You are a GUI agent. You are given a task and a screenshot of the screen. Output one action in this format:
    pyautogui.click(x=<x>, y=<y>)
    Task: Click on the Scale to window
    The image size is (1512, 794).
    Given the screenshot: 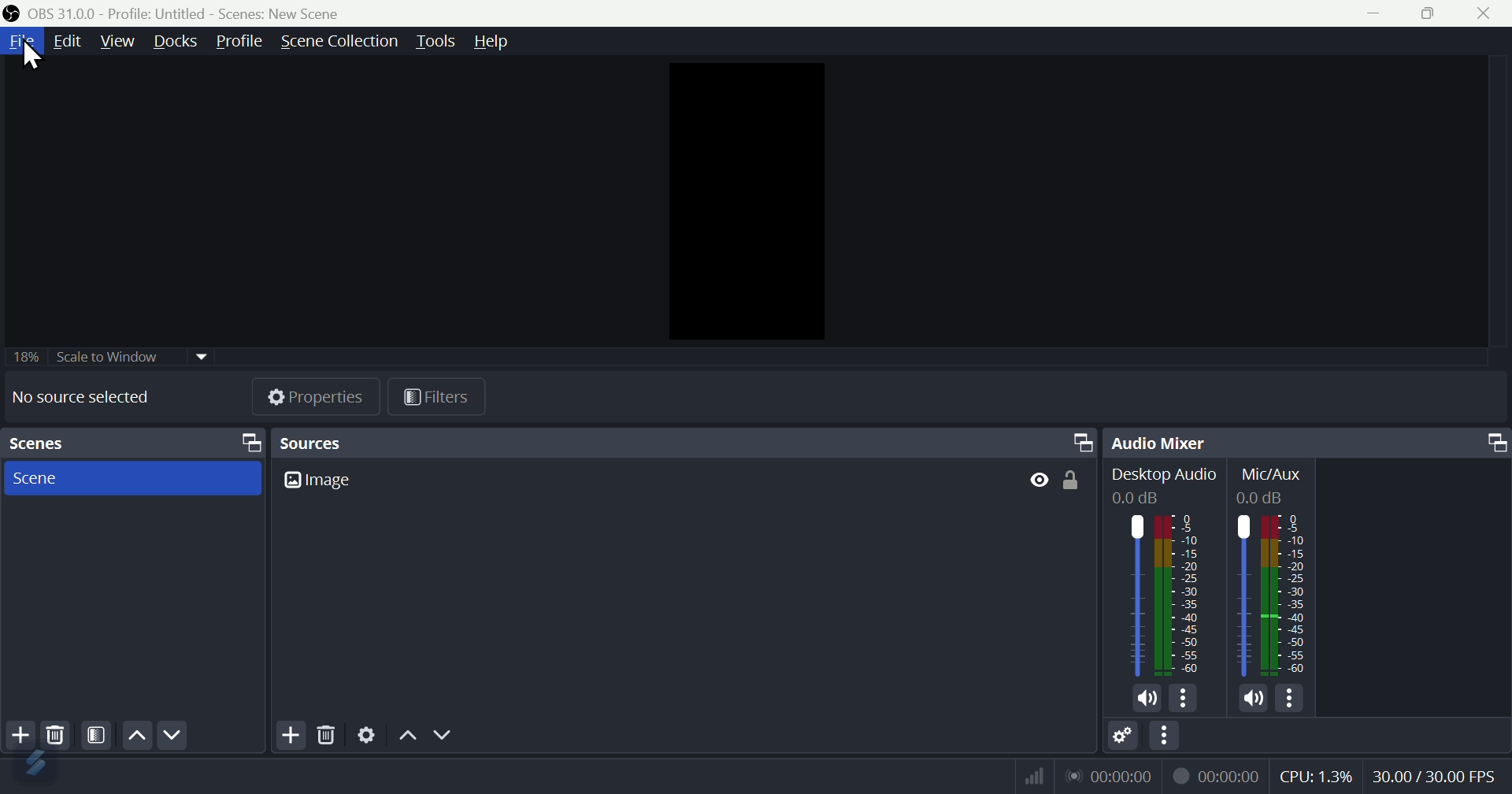 What is the action you would take?
    pyautogui.click(x=109, y=356)
    